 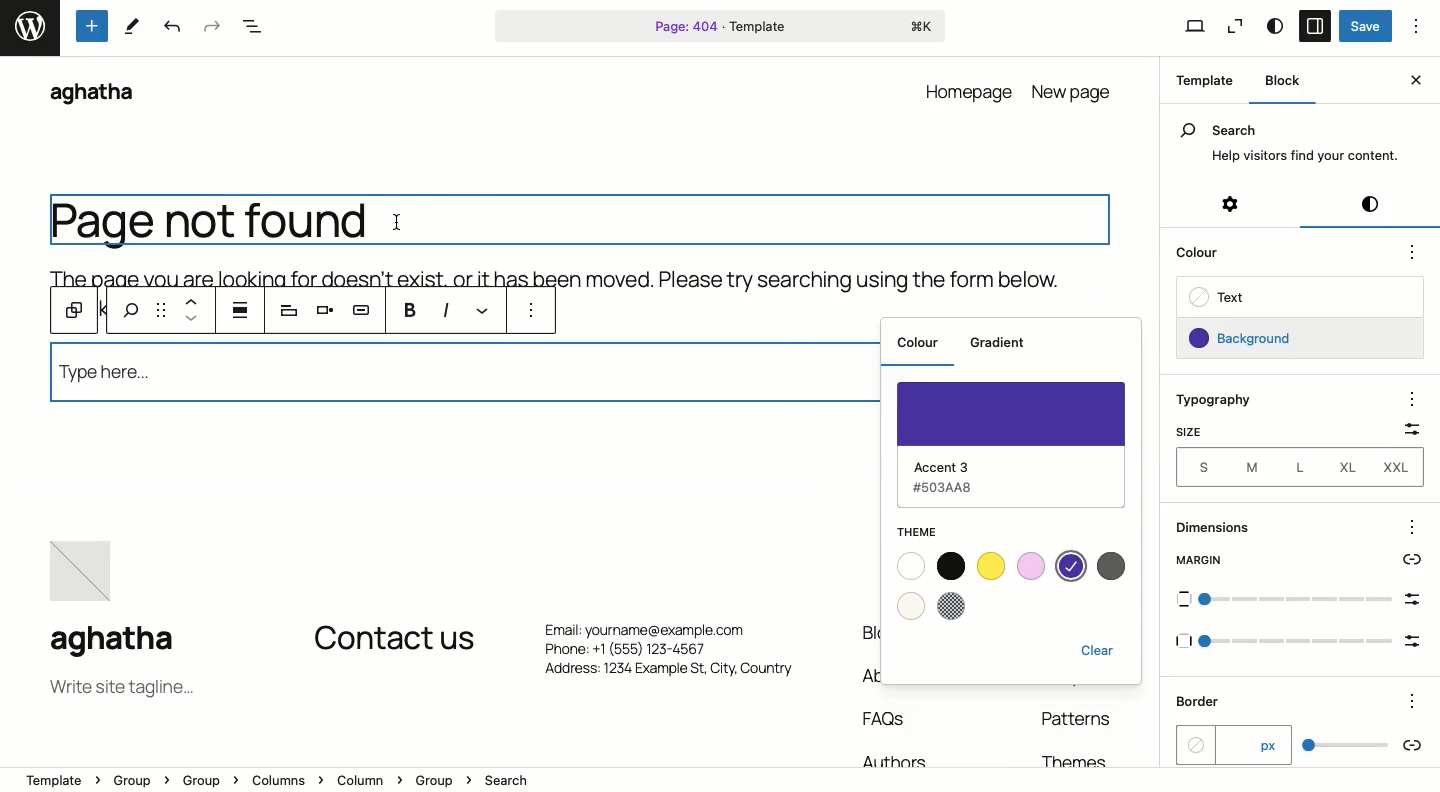 What do you see at coordinates (918, 345) in the screenshot?
I see `Colour` at bounding box center [918, 345].